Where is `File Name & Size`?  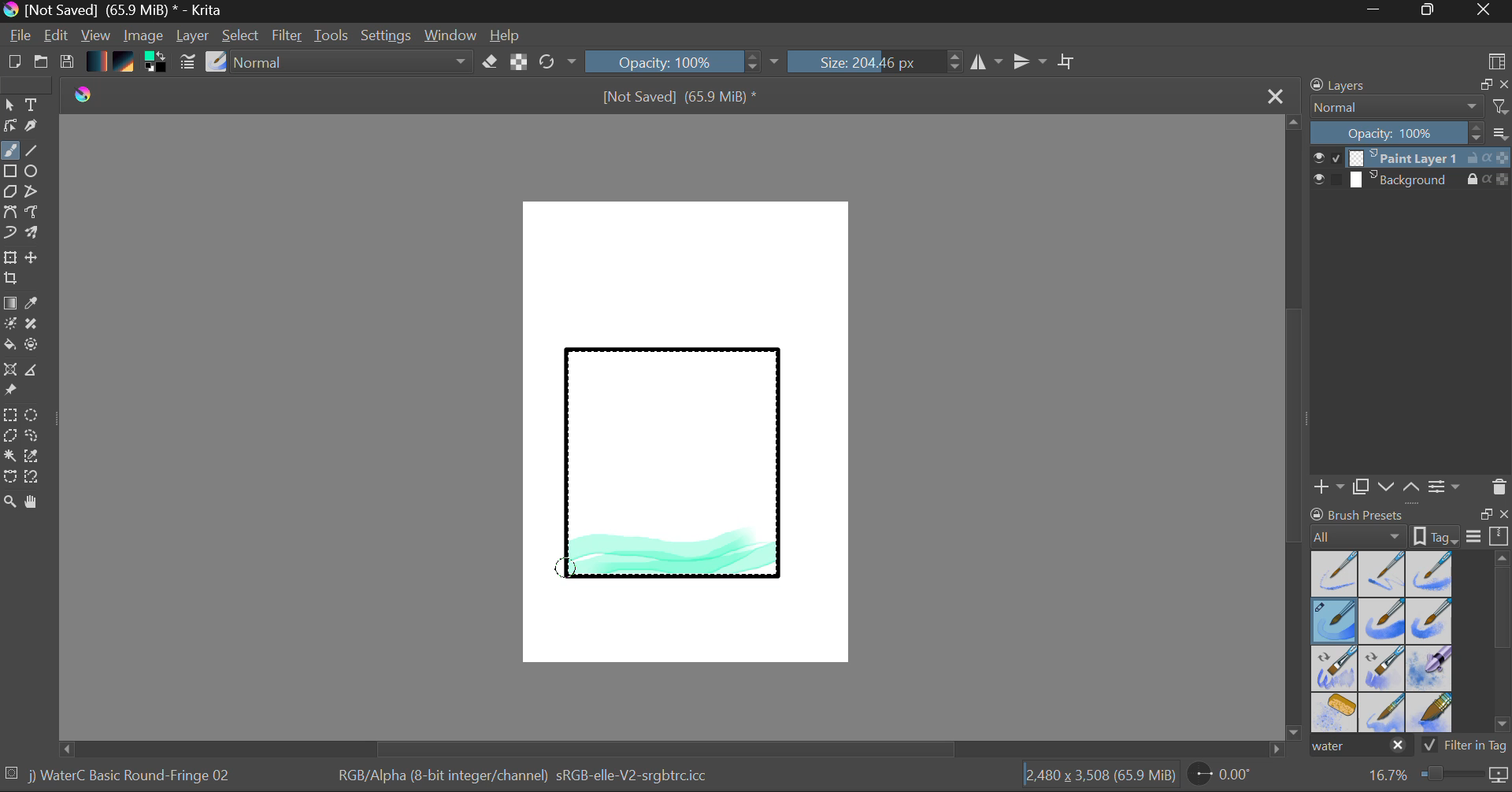 File Name & Size is located at coordinates (680, 98).